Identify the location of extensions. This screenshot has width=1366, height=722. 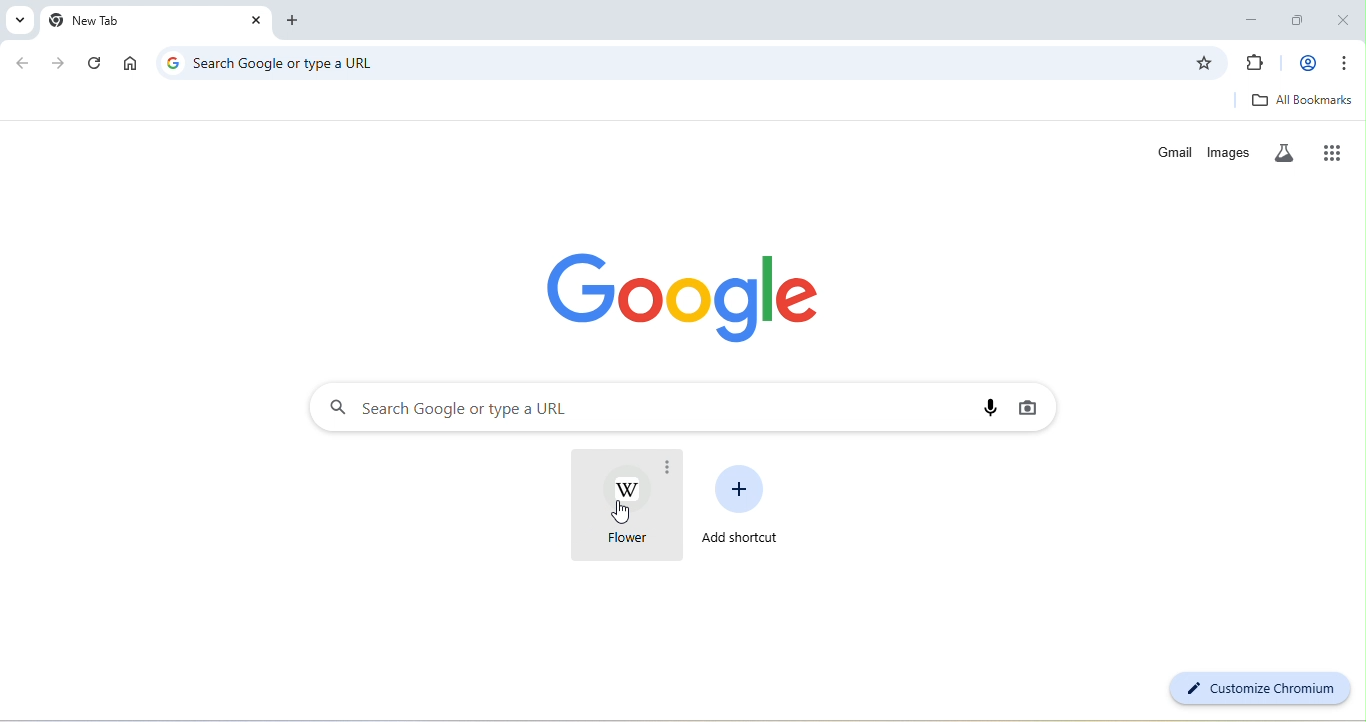
(1255, 64).